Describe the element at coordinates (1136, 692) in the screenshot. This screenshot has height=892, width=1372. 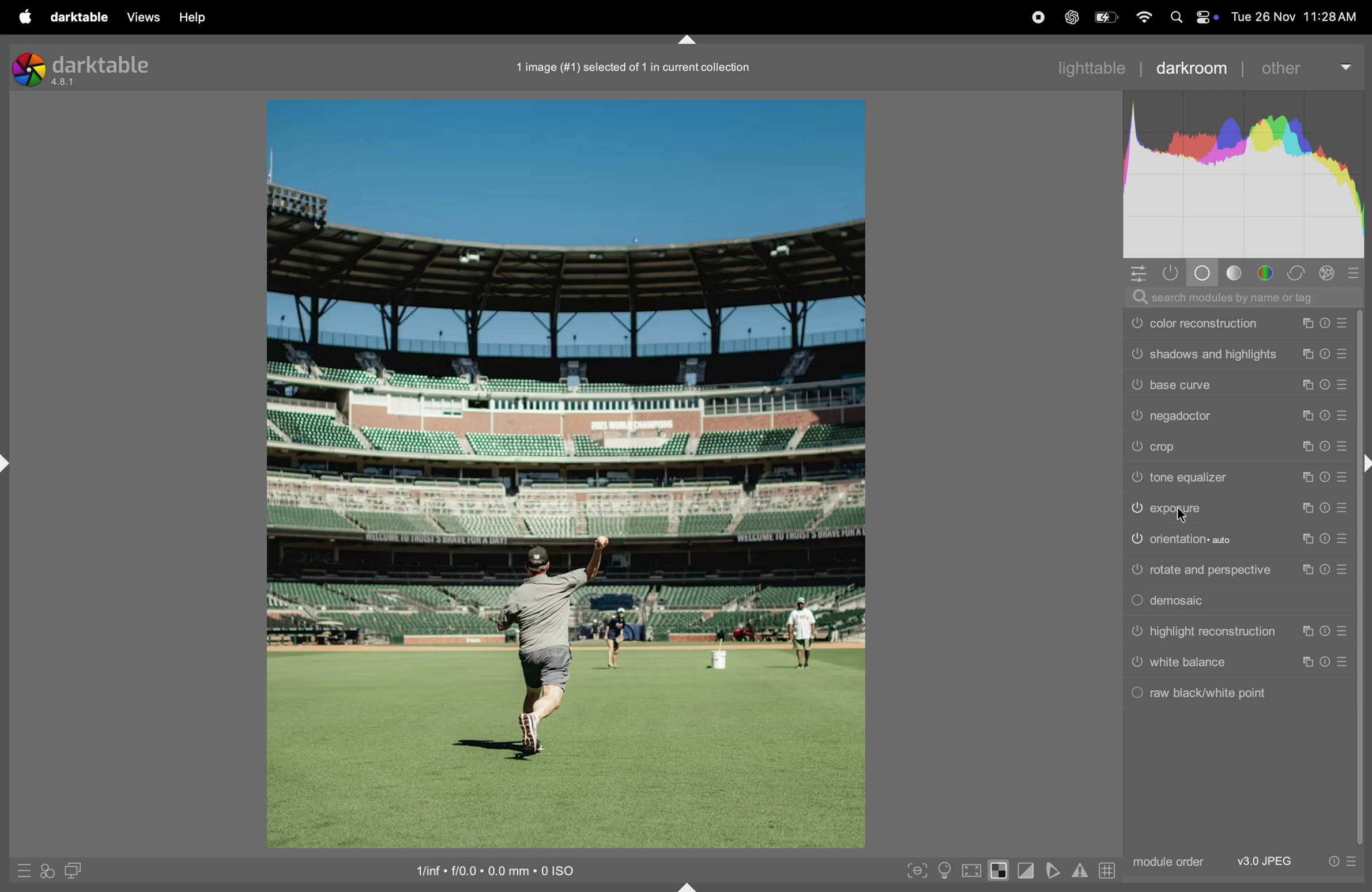
I see `Switch on or off` at that location.